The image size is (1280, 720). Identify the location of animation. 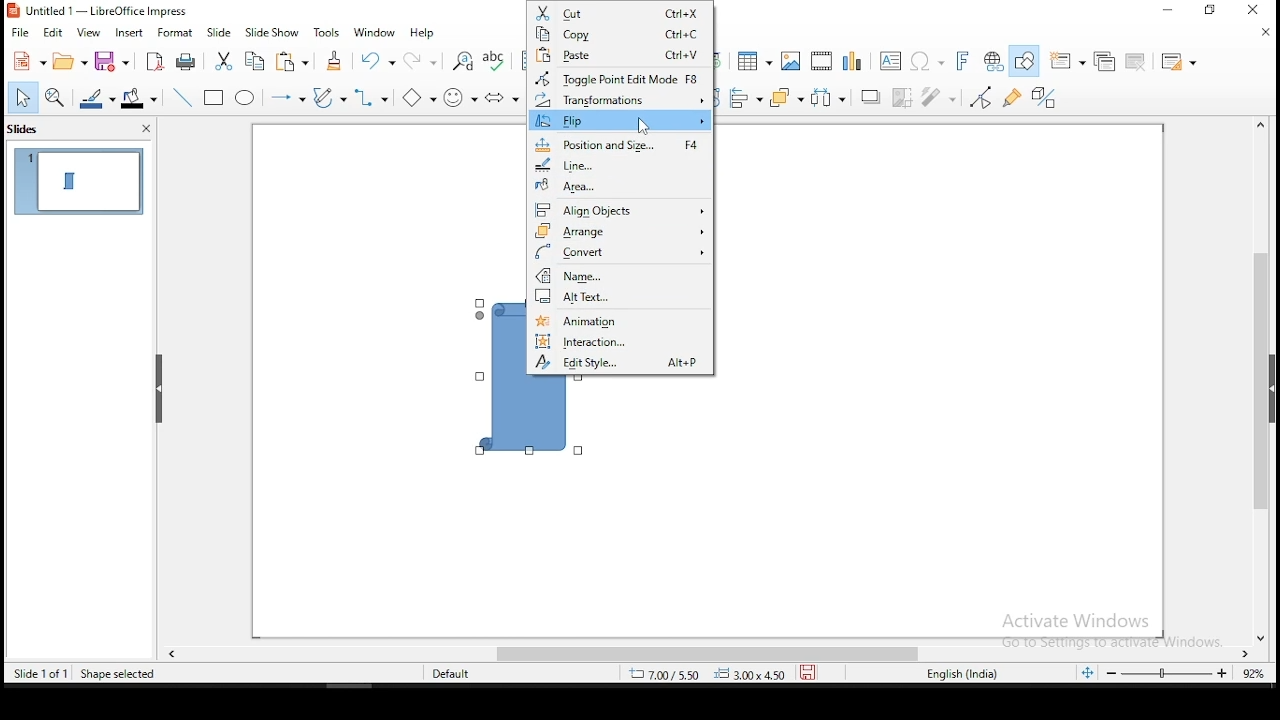
(621, 319).